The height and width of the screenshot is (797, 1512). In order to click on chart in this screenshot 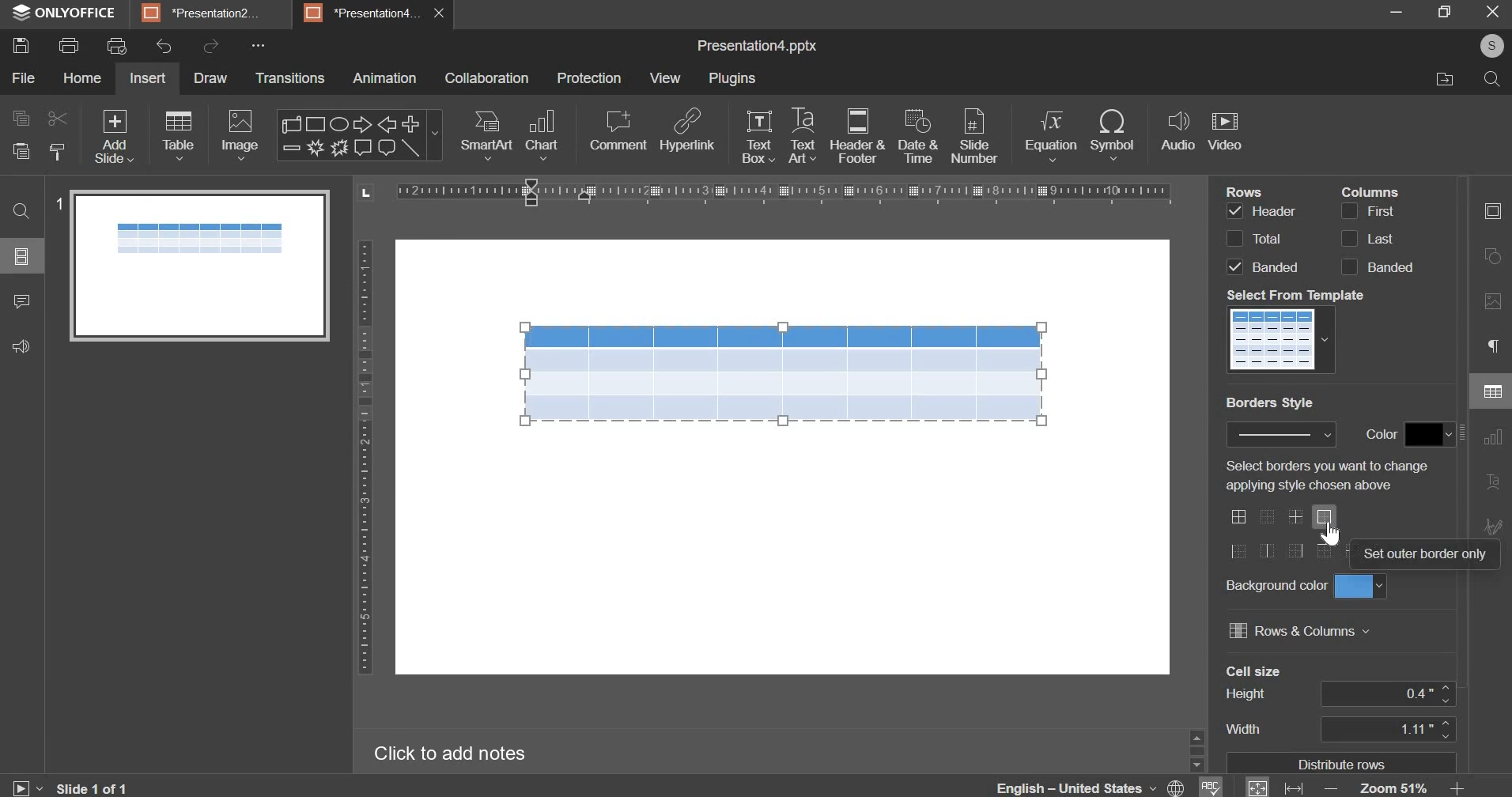, I will do `click(542, 134)`.